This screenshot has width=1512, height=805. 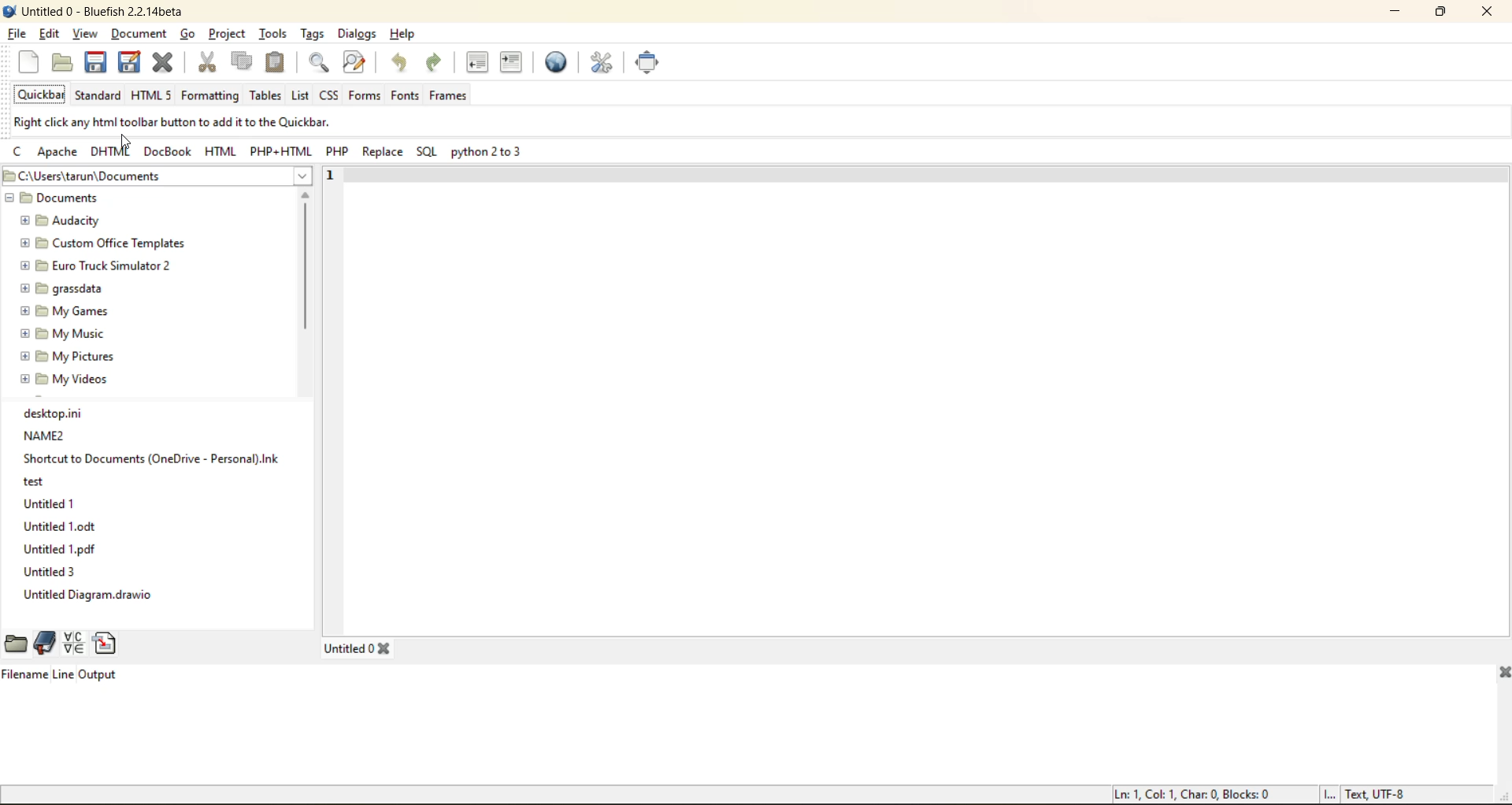 I want to click on copy, so click(x=243, y=65).